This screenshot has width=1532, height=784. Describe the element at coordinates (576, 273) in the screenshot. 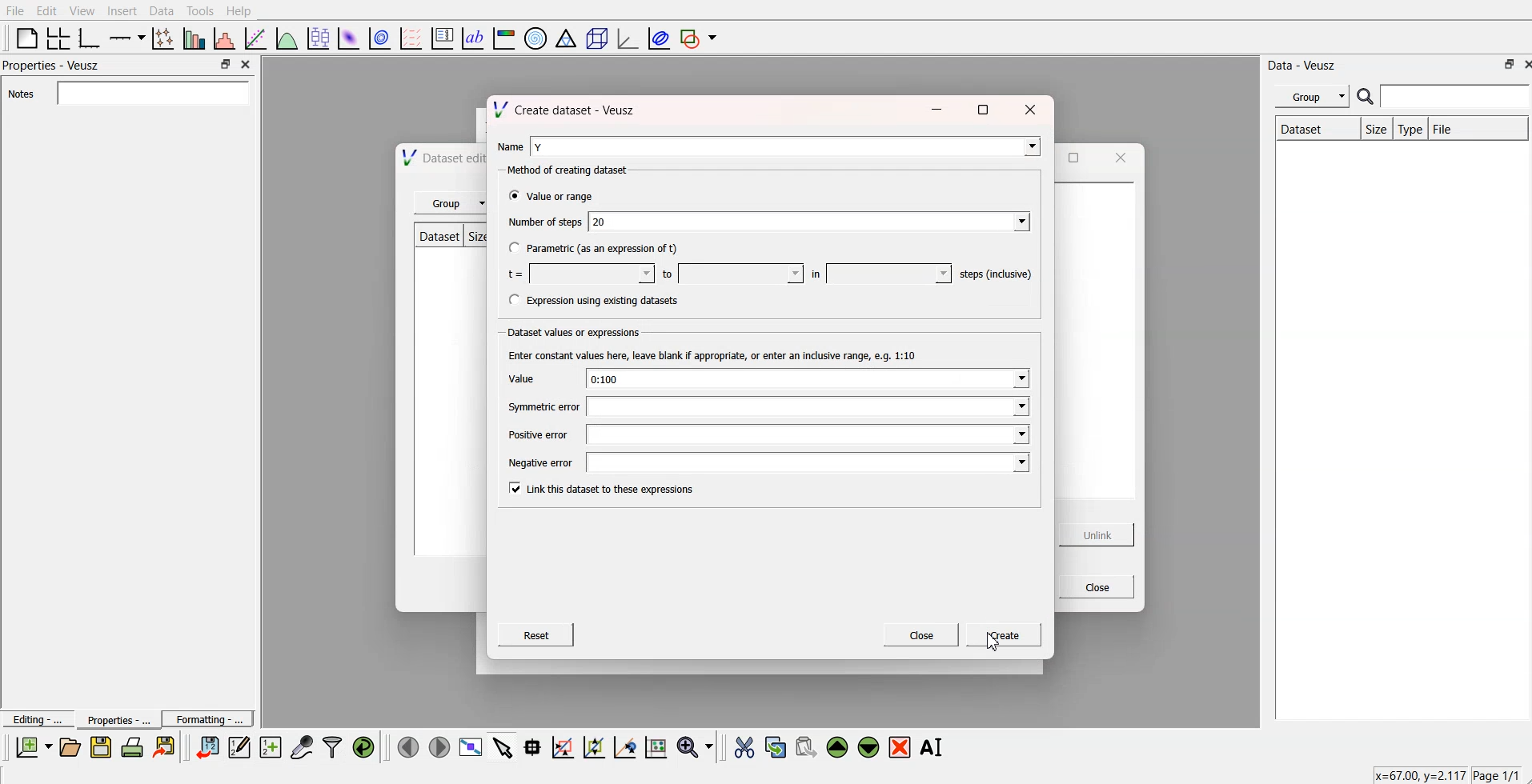

I see `t=` at that location.